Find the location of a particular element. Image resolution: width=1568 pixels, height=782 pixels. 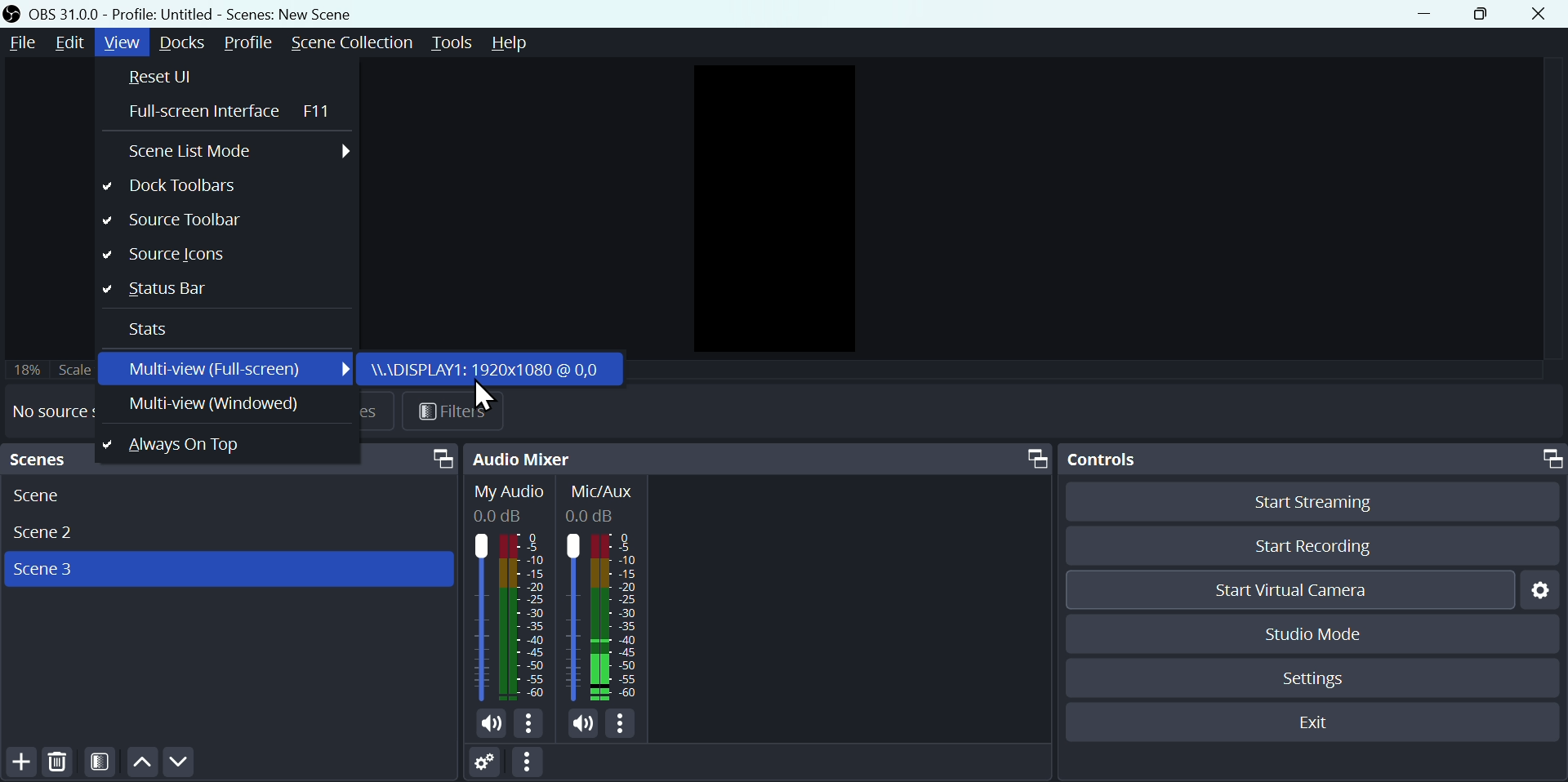

Help is located at coordinates (520, 43).